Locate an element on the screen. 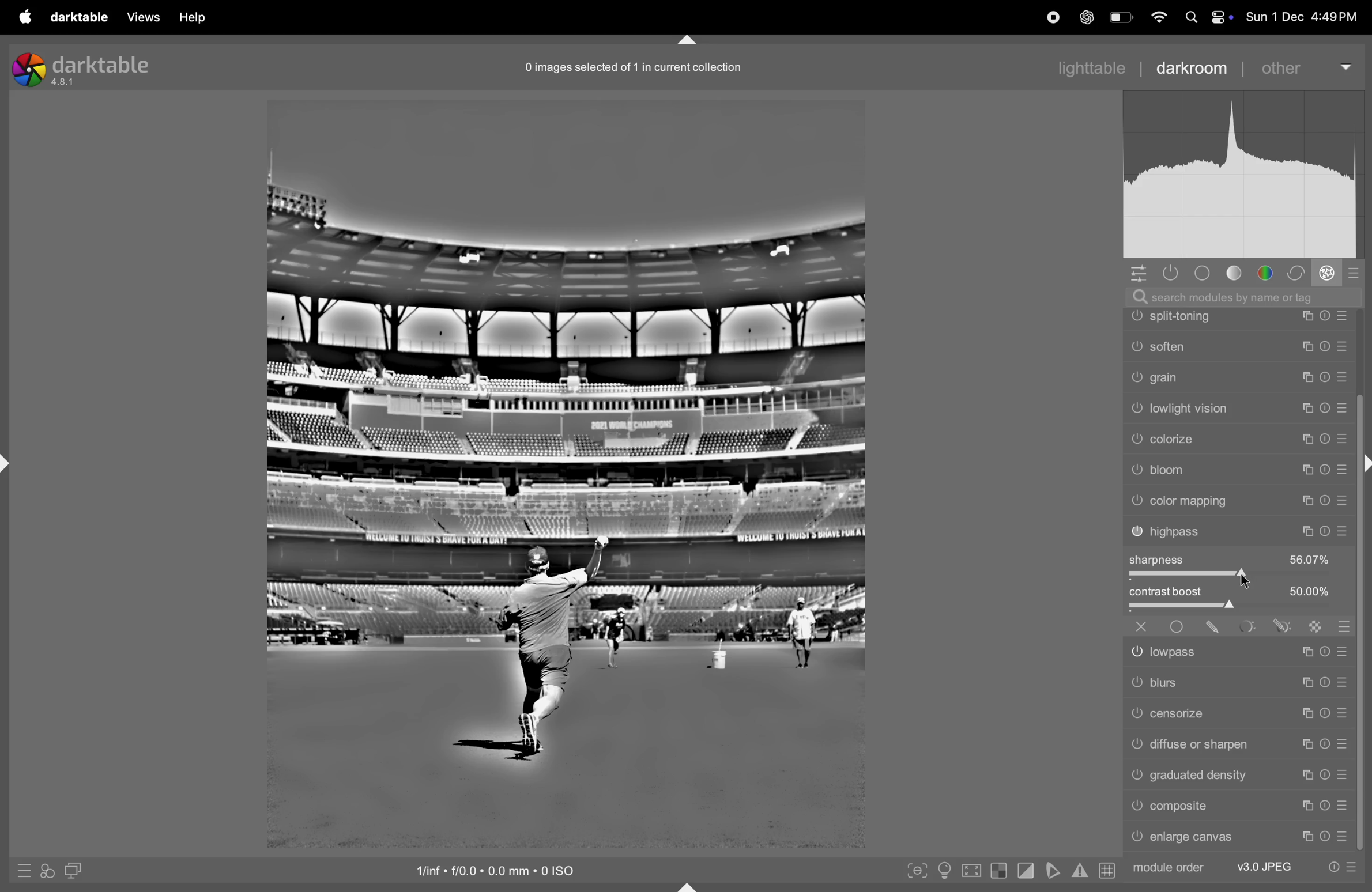 Image resolution: width=1372 pixels, height=892 pixels. options is located at coordinates (1141, 274).